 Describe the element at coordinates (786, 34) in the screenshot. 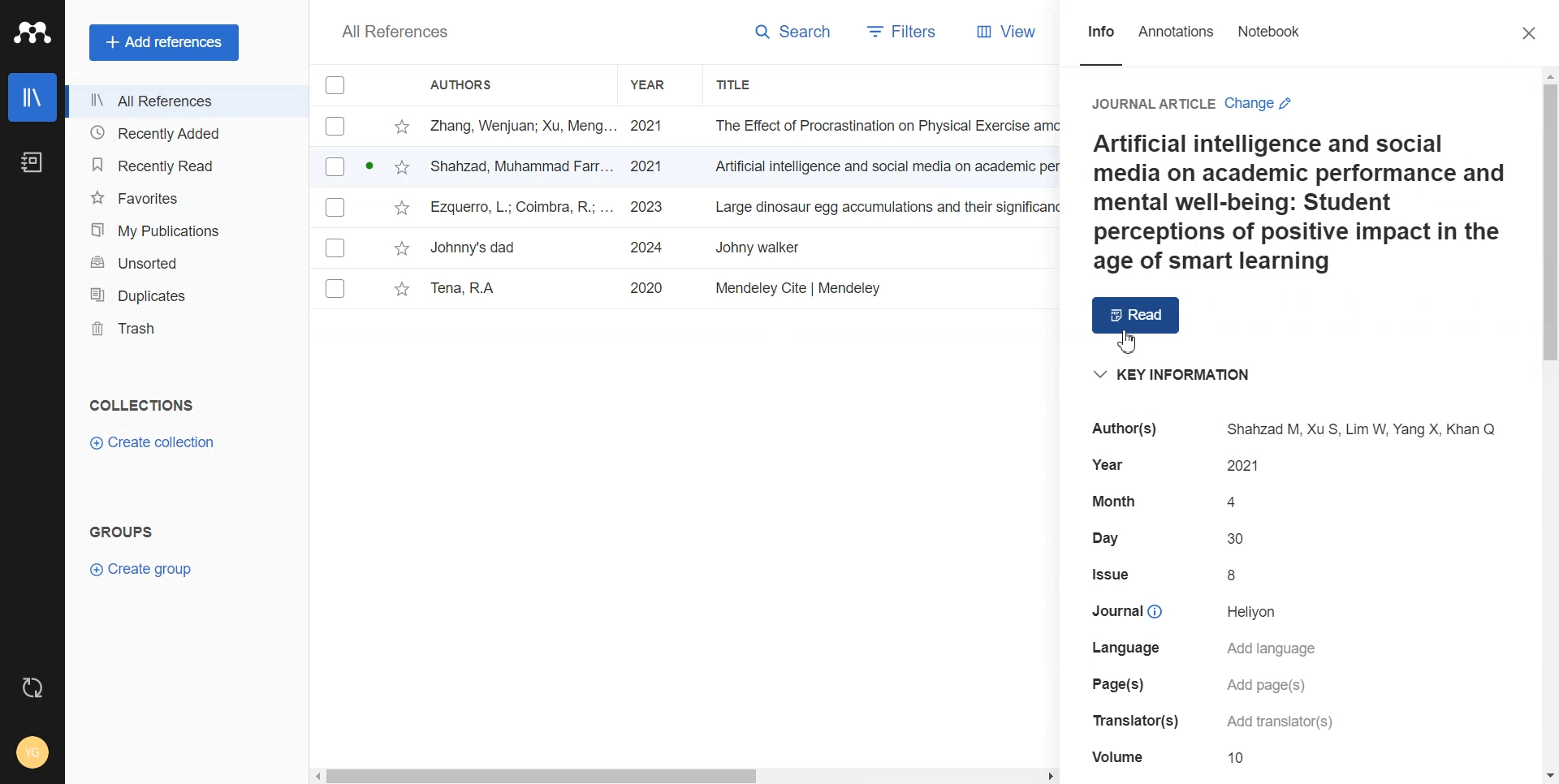

I see `Search` at that location.